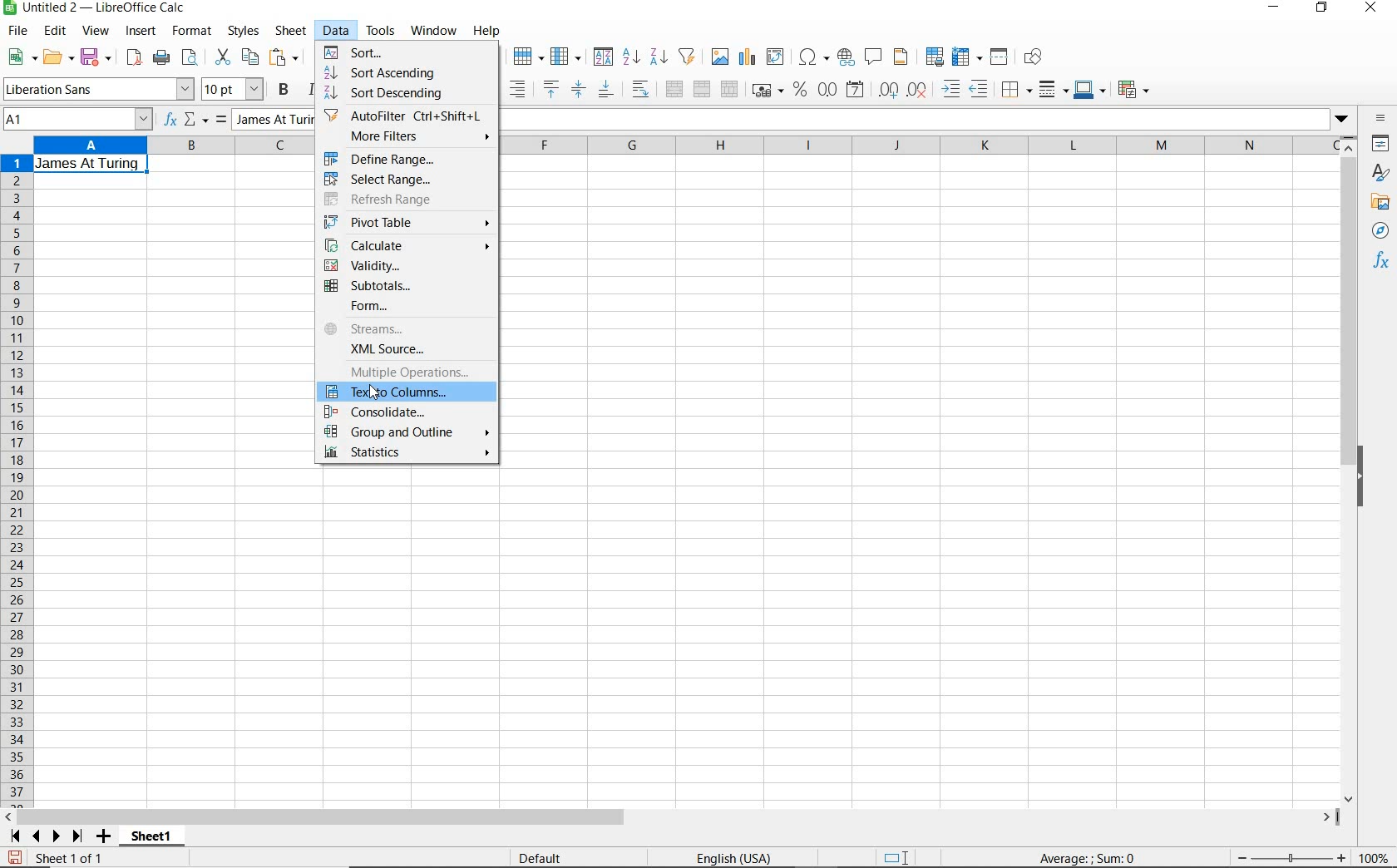  What do you see at coordinates (1365, 476) in the screenshot?
I see `hide` at bounding box center [1365, 476].